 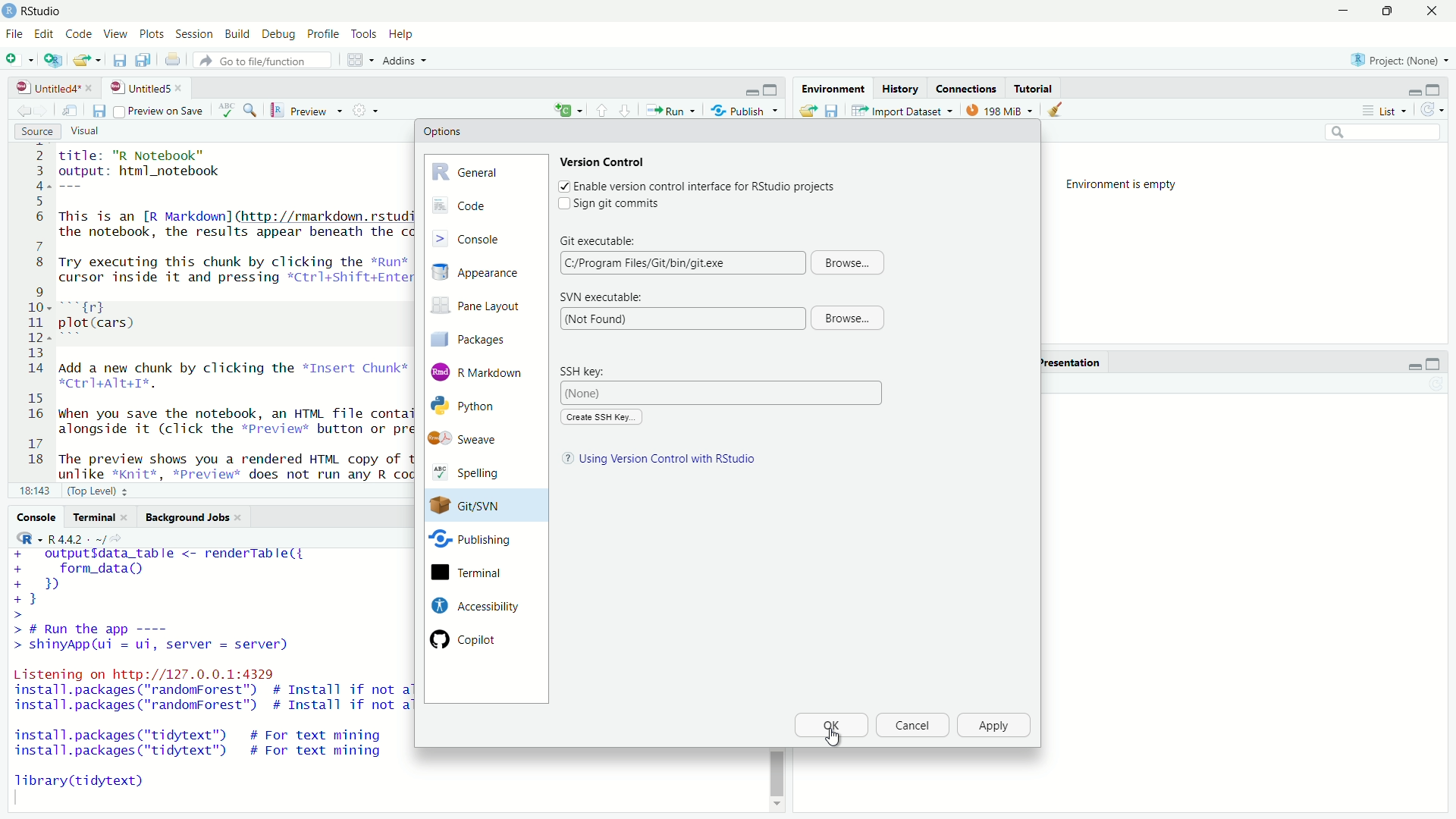 What do you see at coordinates (88, 60) in the screenshot?
I see `open an existing file` at bounding box center [88, 60].